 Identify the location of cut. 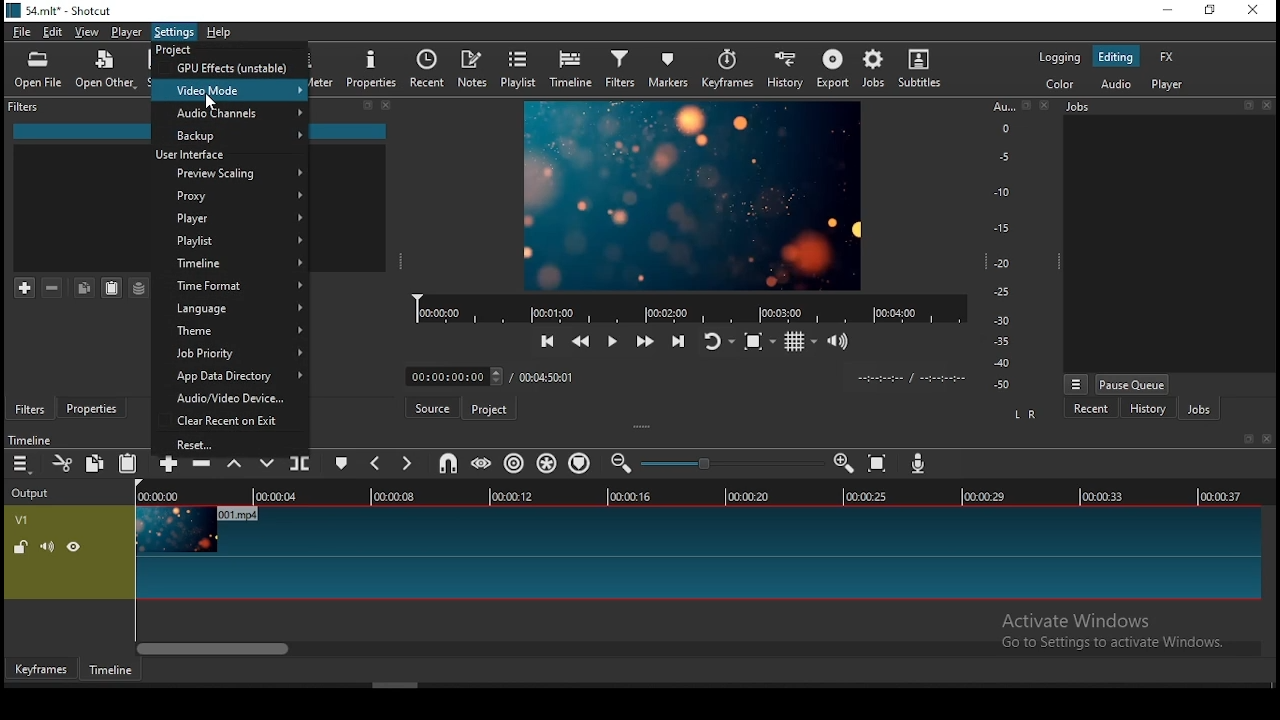
(63, 463).